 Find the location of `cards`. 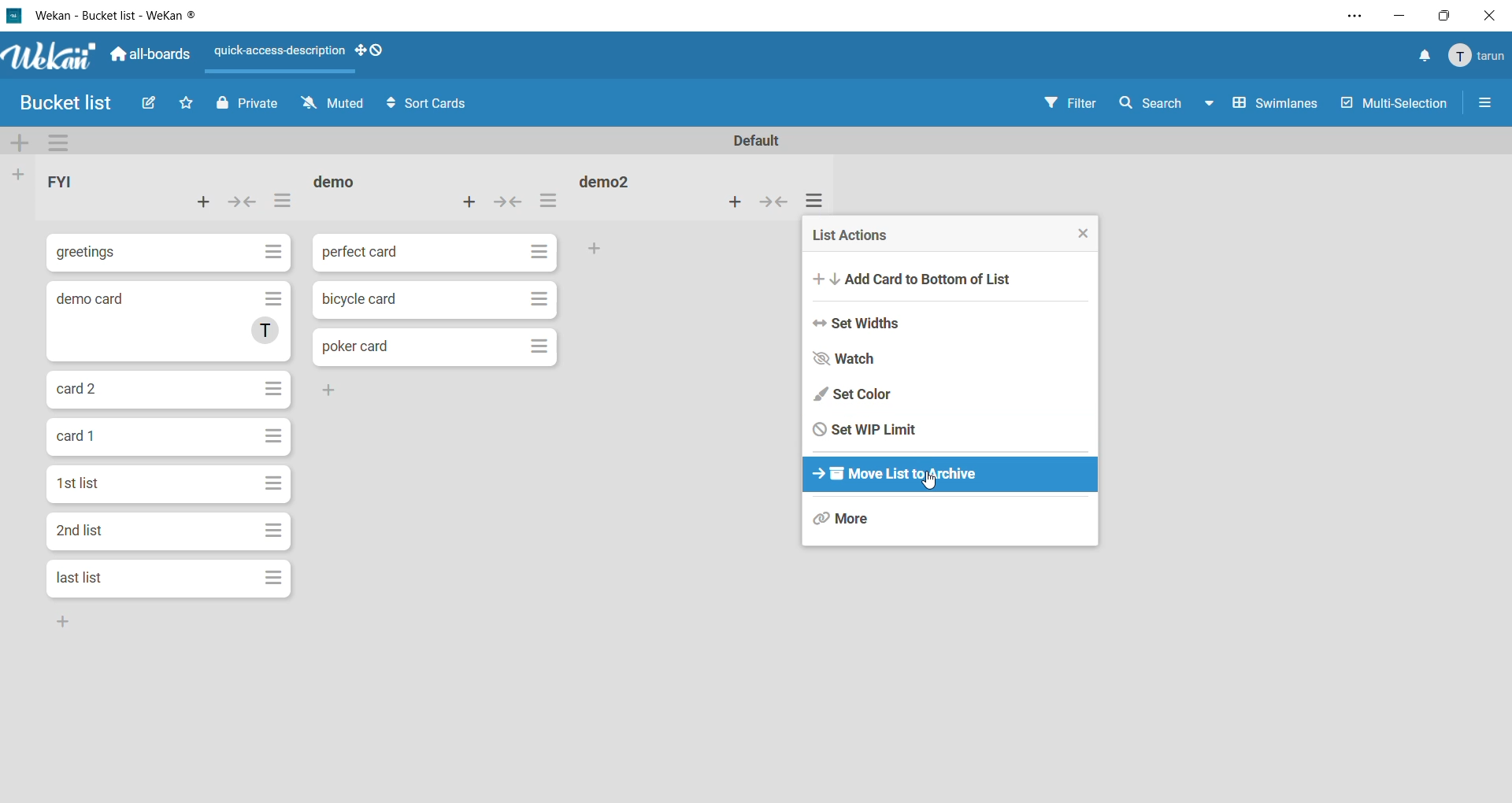

cards is located at coordinates (165, 253).